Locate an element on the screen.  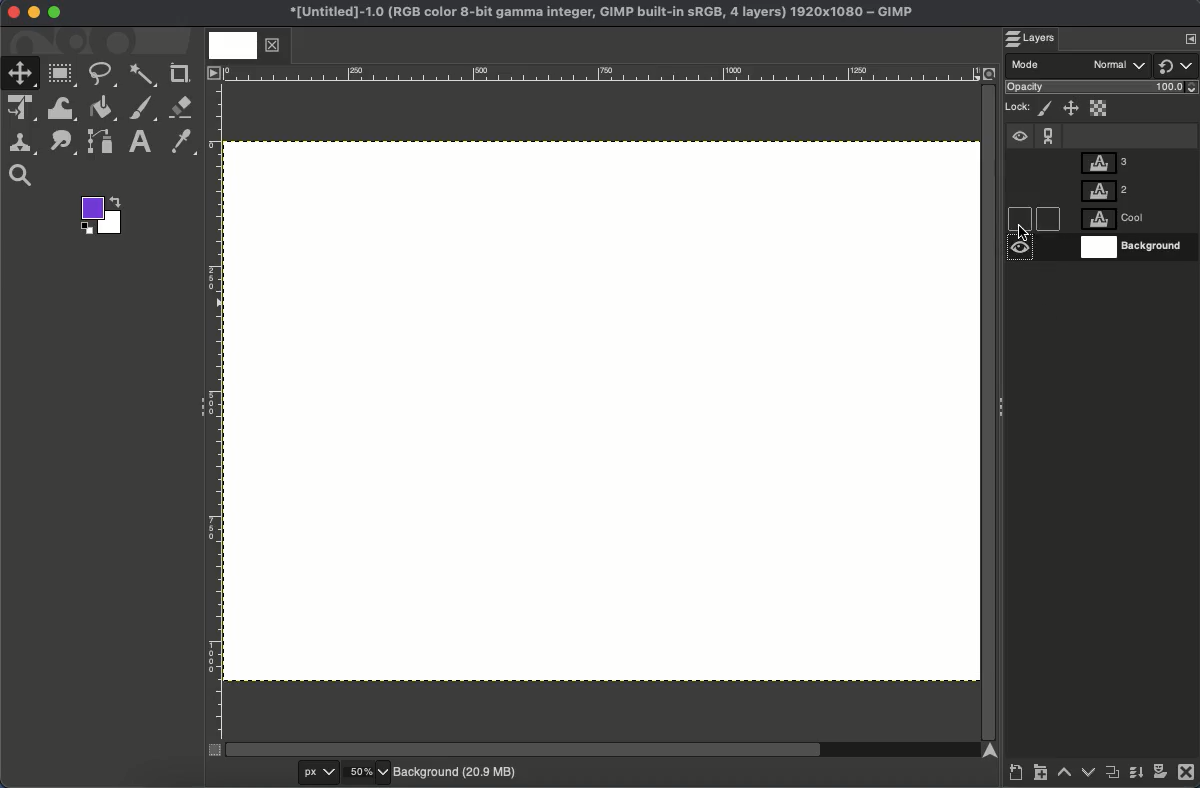
Colors is located at coordinates (104, 217).